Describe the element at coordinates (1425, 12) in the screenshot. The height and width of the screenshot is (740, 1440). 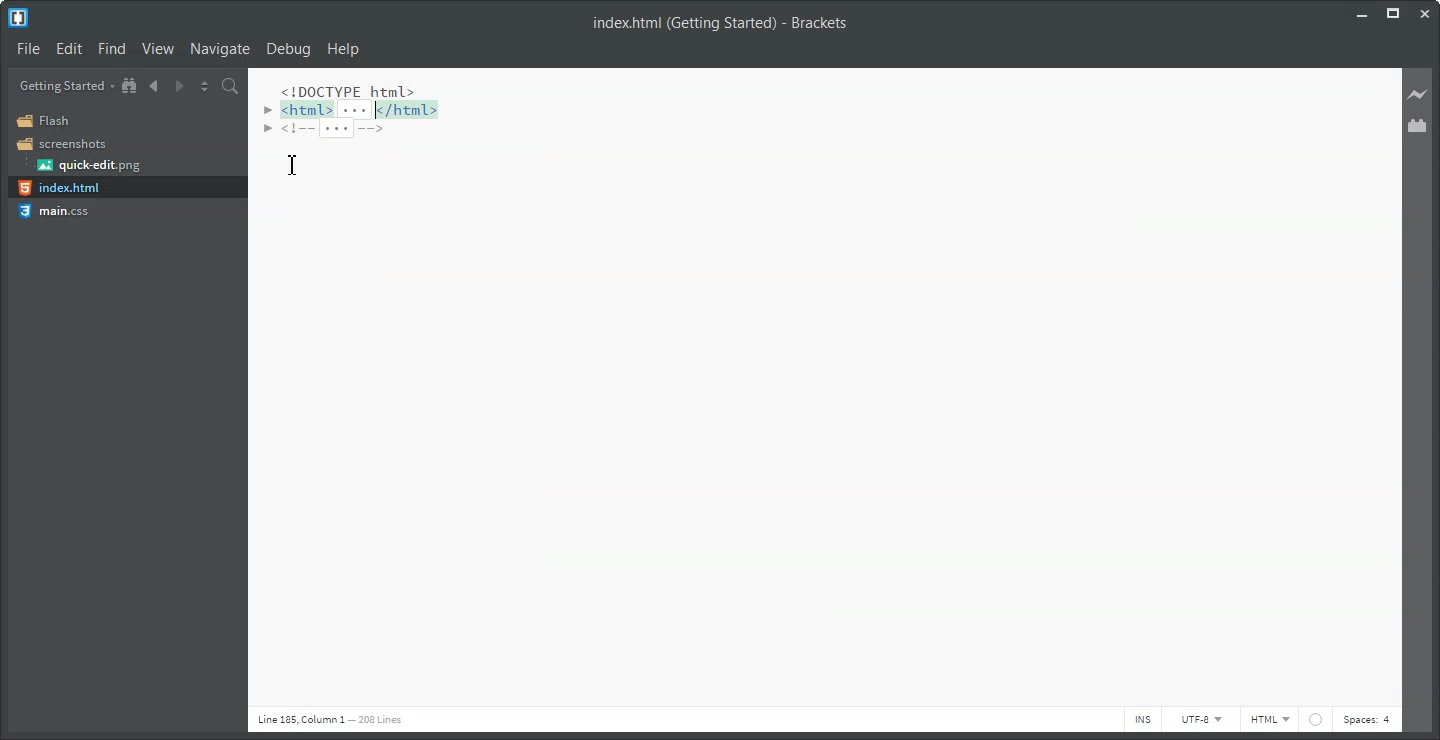
I see `Close` at that location.